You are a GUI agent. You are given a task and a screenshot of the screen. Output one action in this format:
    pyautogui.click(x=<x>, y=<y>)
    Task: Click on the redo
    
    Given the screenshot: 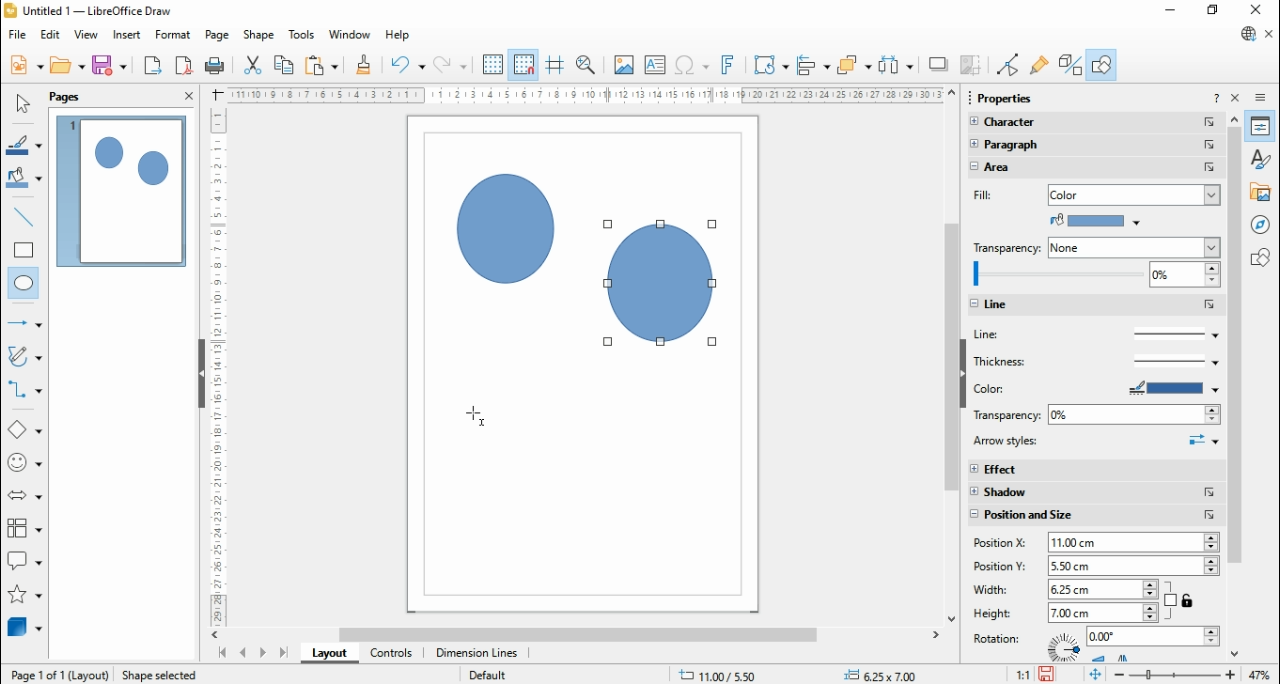 What is the action you would take?
    pyautogui.click(x=450, y=65)
    